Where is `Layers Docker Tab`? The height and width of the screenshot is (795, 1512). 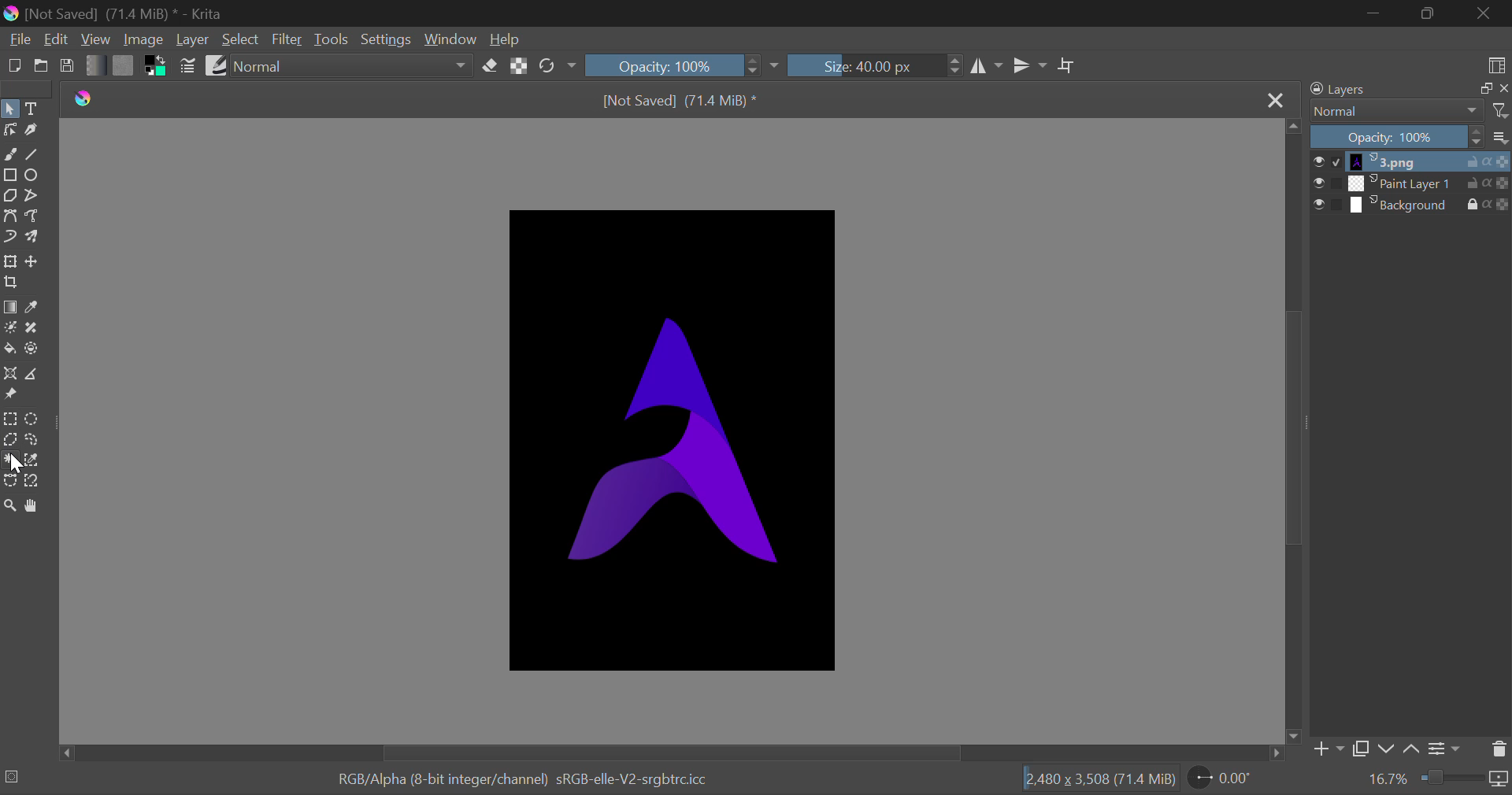 Layers Docker Tab is located at coordinates (1345, 90).